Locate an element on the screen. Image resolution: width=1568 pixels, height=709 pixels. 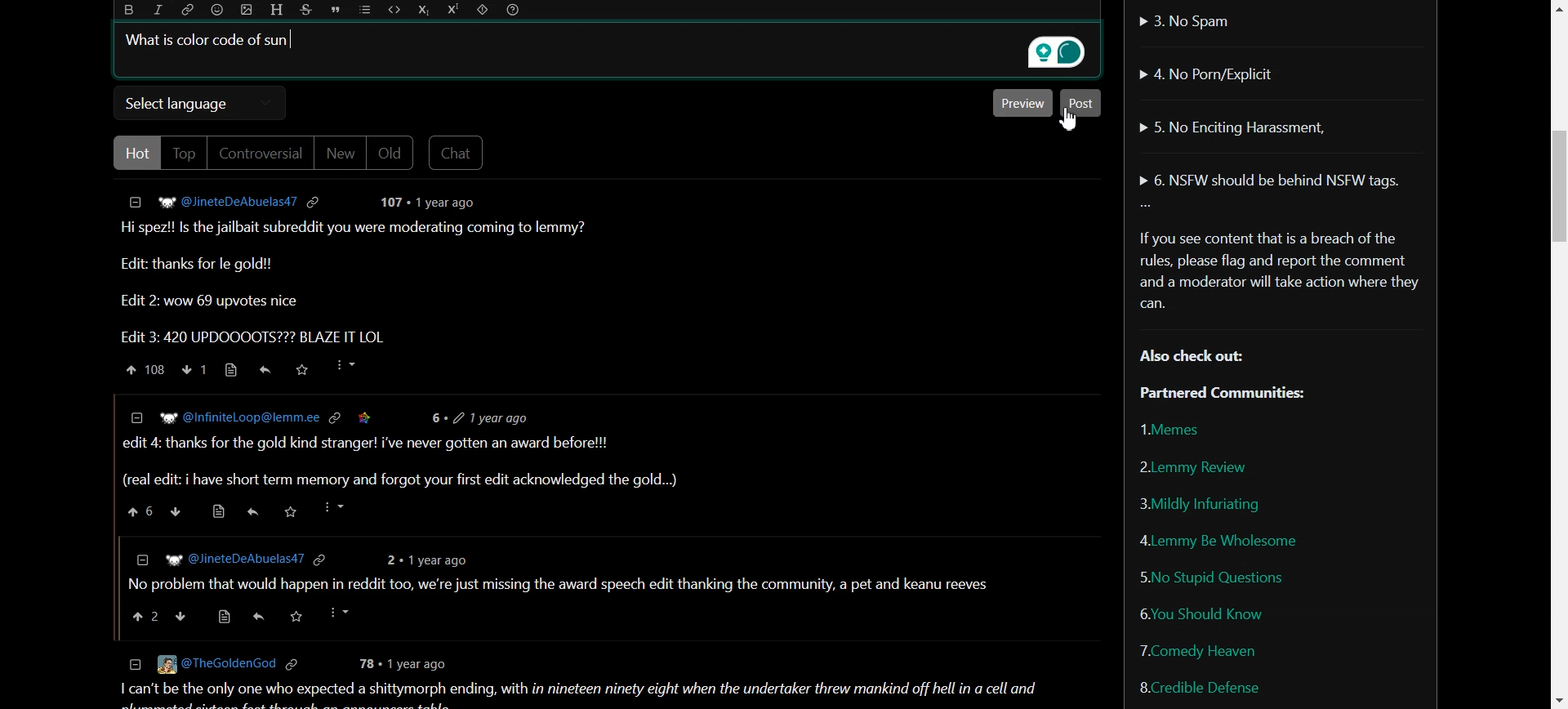
Header is located at coordinates (276, 10).